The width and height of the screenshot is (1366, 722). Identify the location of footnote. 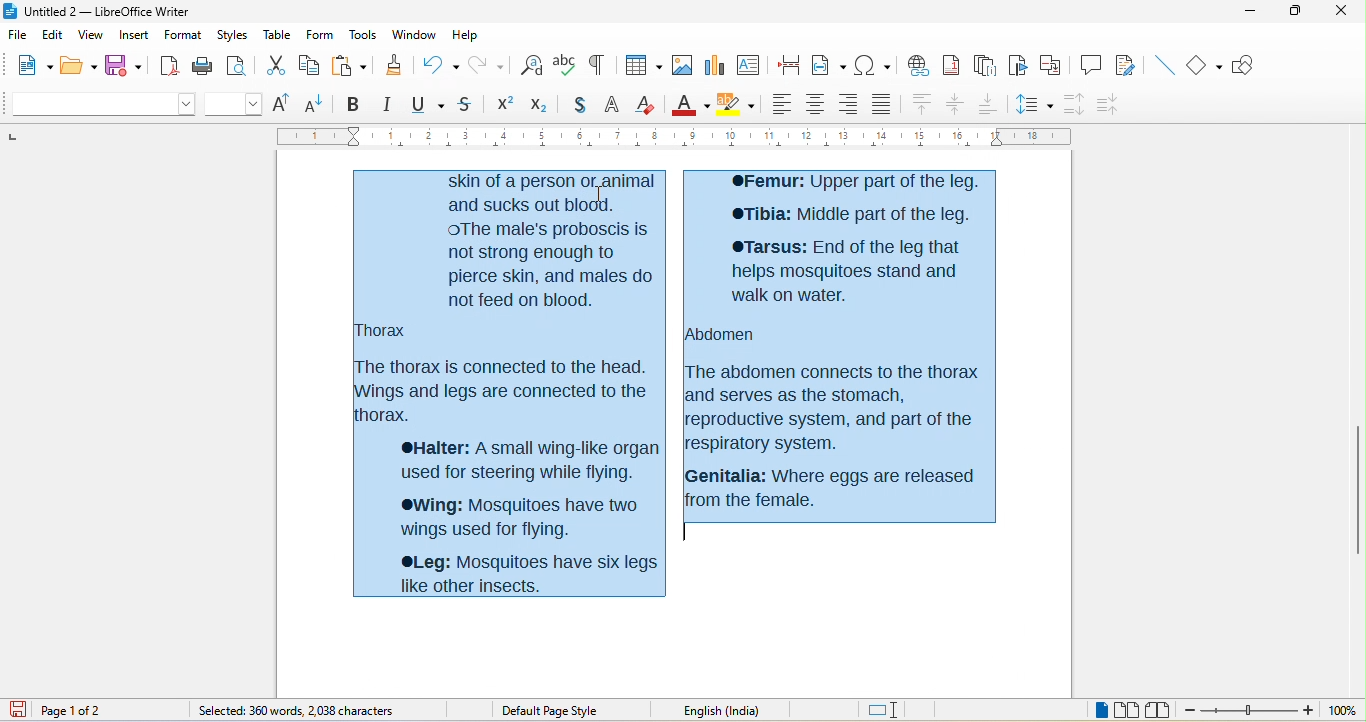
(954, 67).